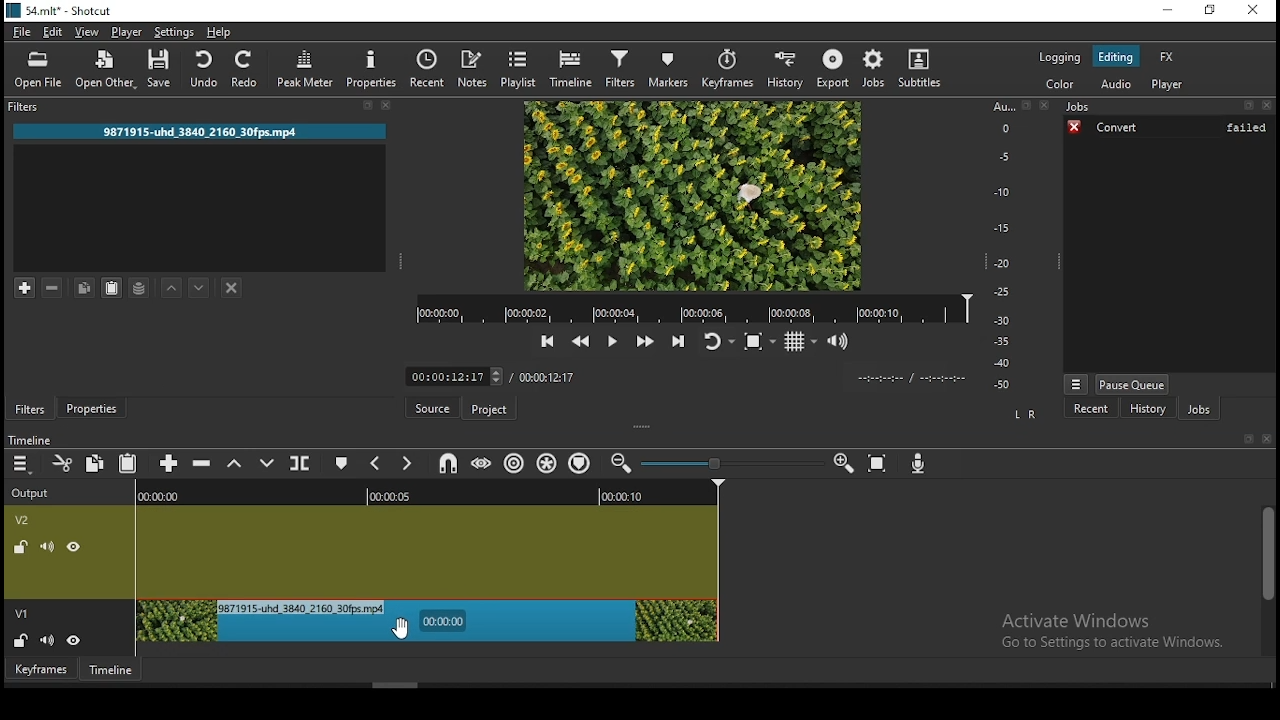  Describe the element at coordinates (430, 492) in the screenshot. I see `timeline` at that location.